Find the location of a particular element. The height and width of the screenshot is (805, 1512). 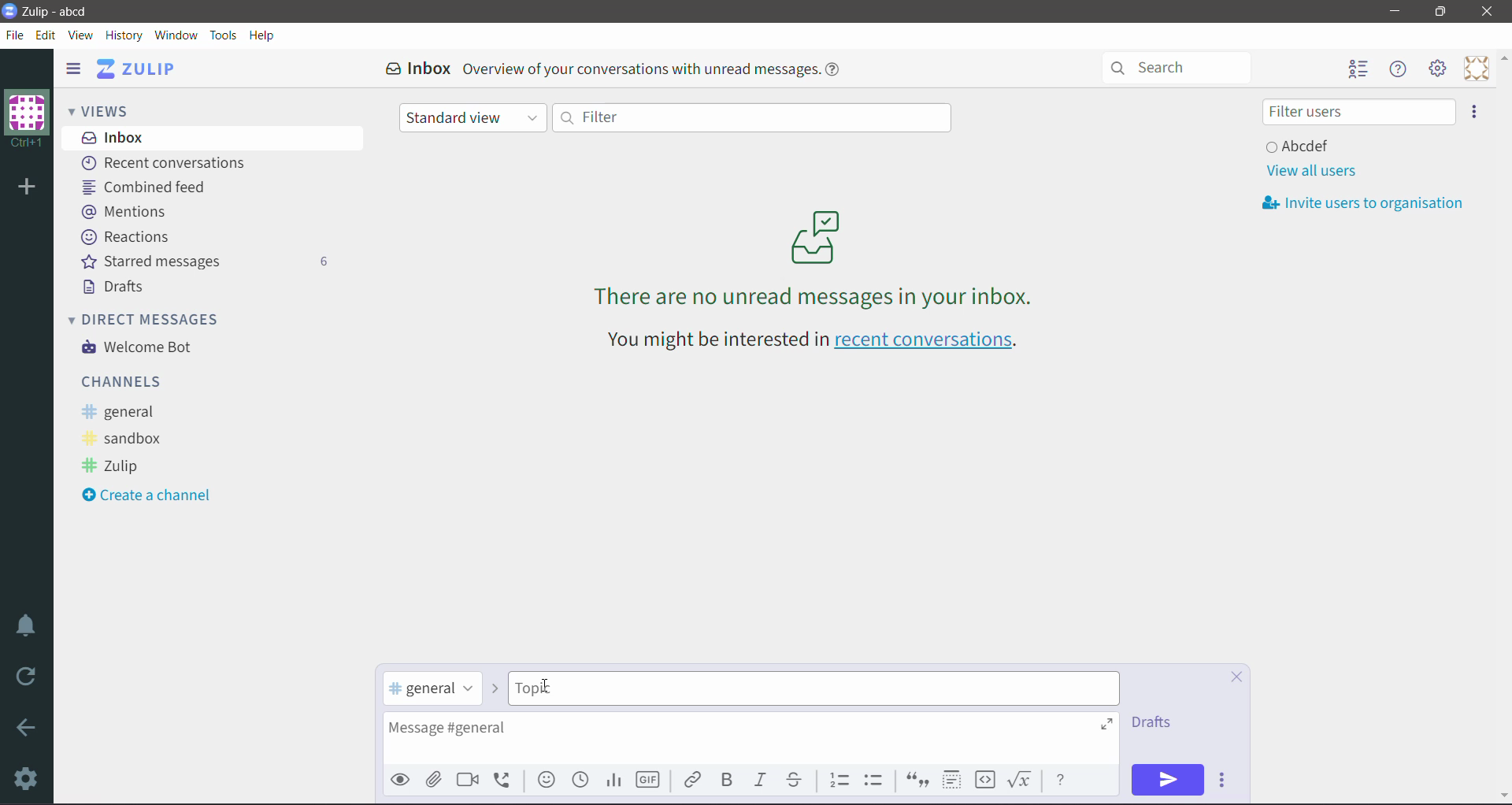

Reload is located at coordinates (29, 677).